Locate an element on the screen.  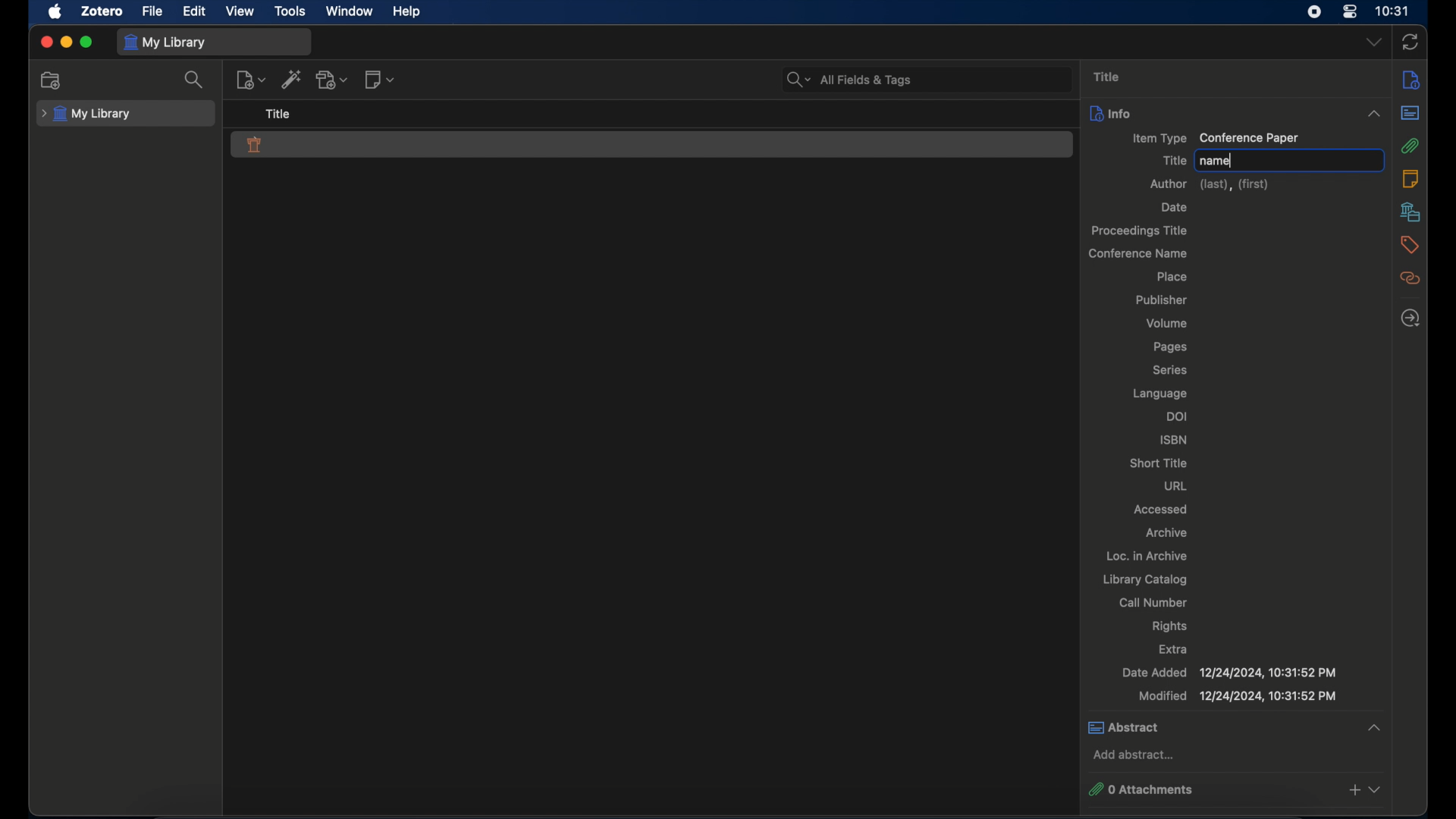
time is located at coordinates (1393, 11).